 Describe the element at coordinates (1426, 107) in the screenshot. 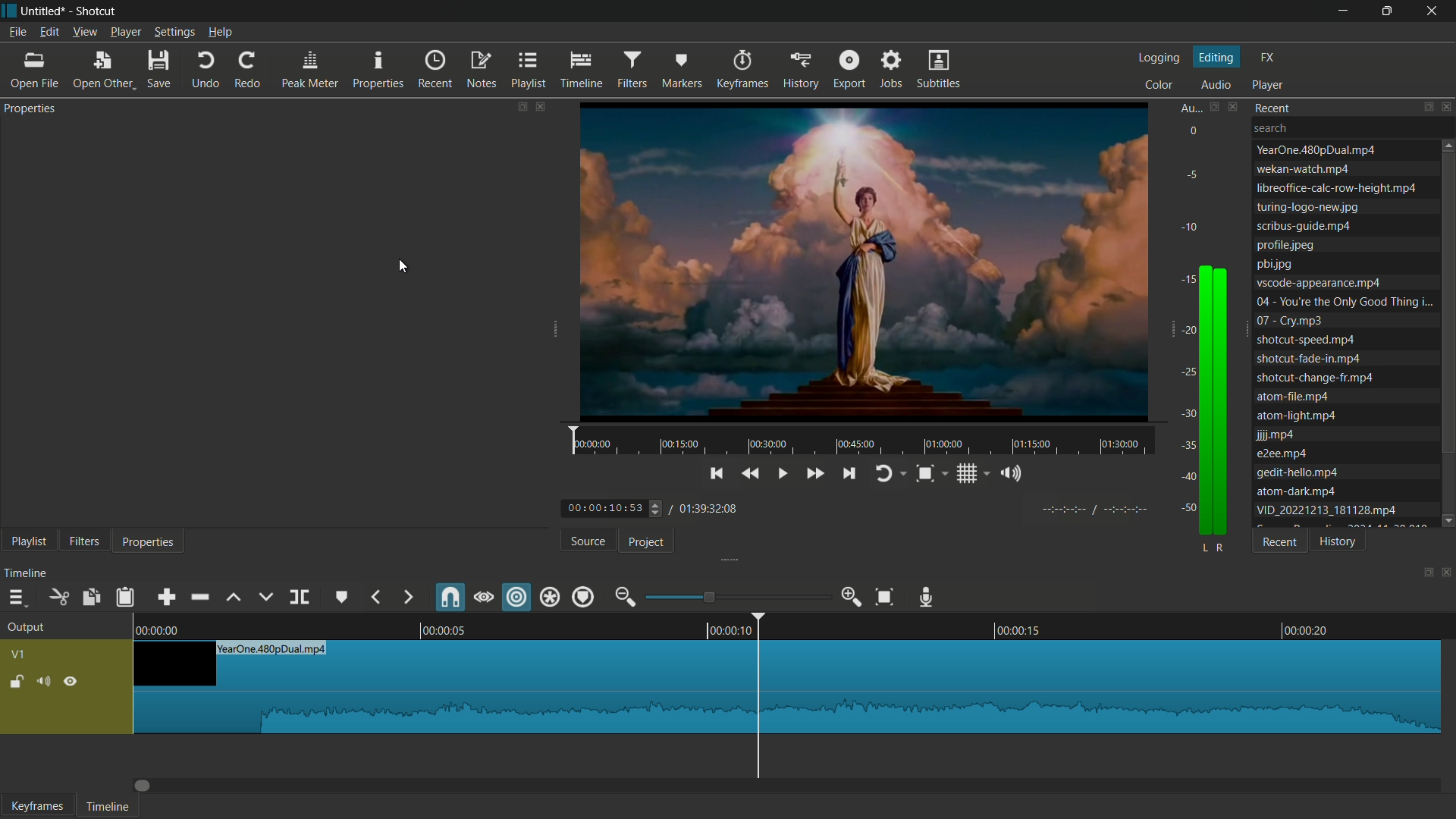

I see `change layout` at that location.